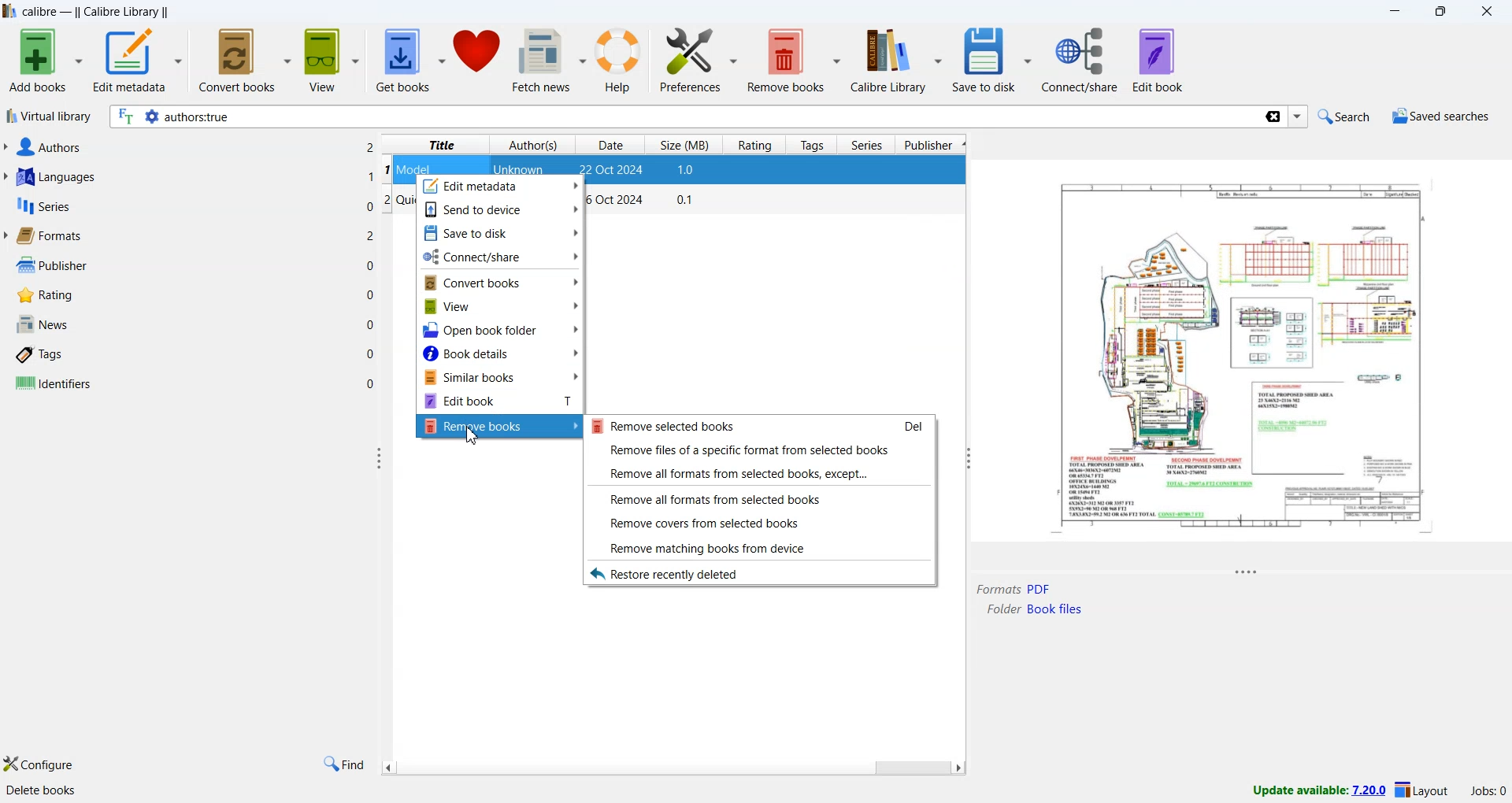 The image size is (1512, 803). What do you see at coordinates (501, 187) in the screenshot?
I see `Edit metadata` at bounding box center [501, 187].